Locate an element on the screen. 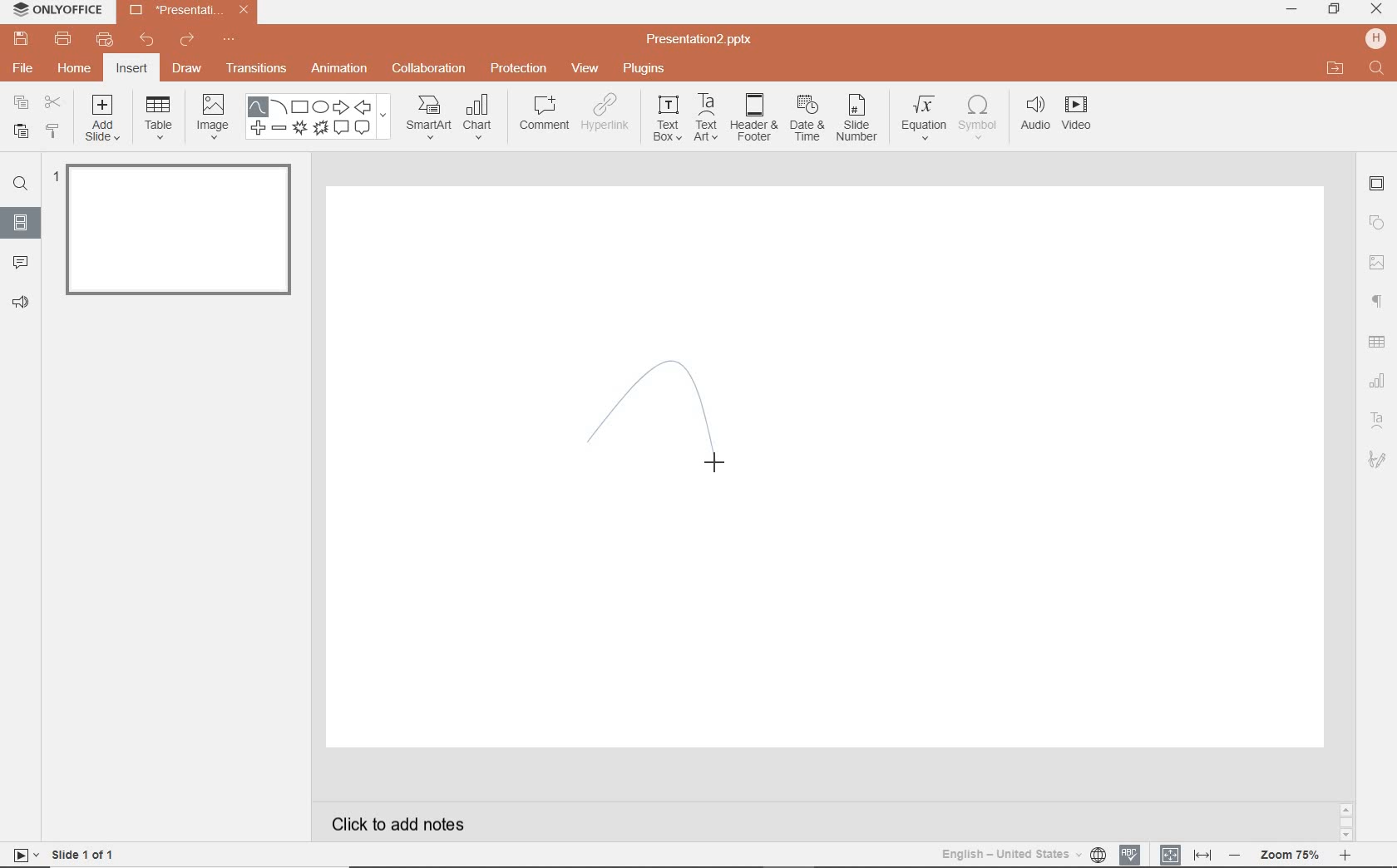 This screenshot has height=868, width=1397. DRAW is located at coordinates (188, 70).